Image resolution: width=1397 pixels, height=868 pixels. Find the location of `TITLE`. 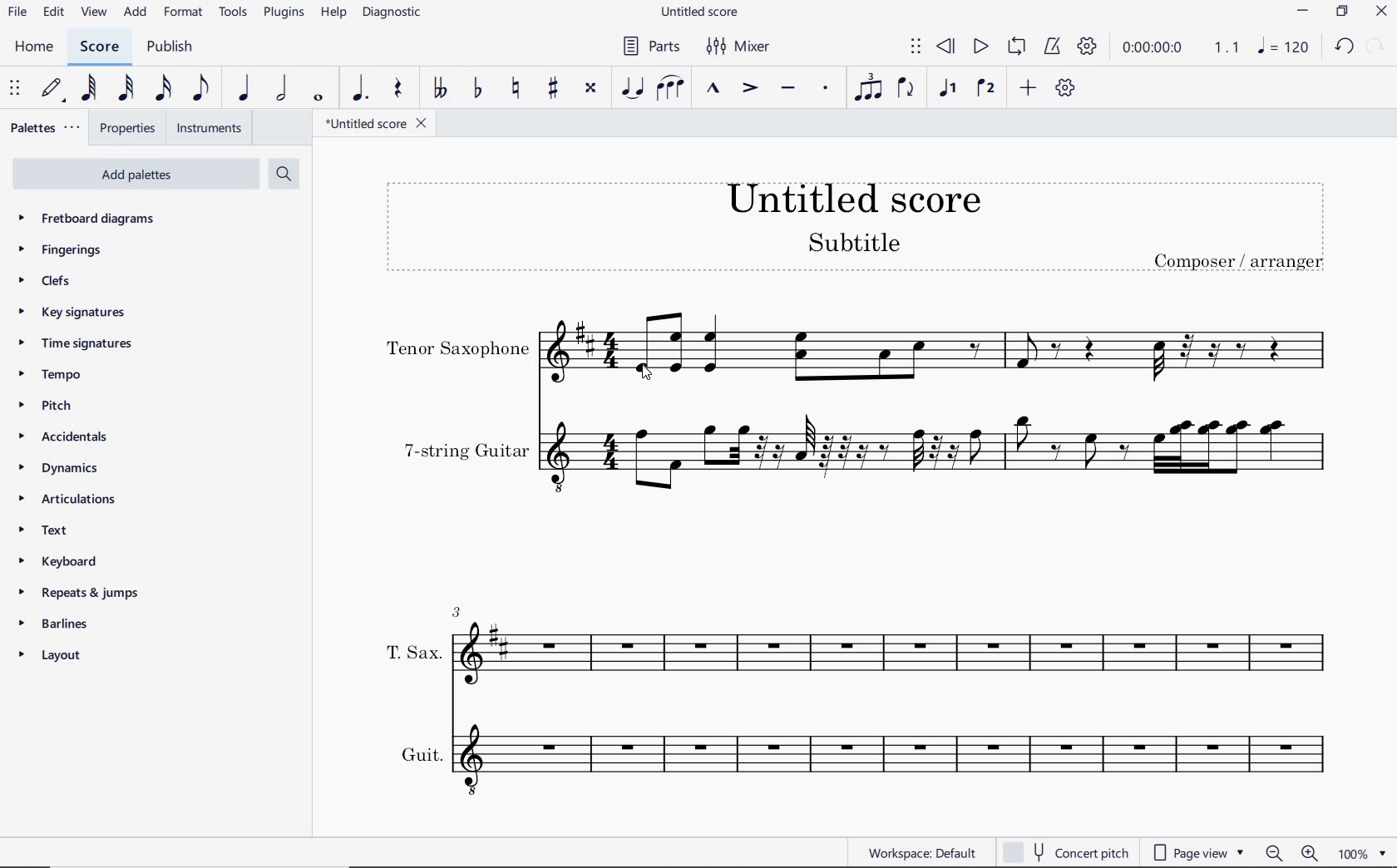

TITLE is located at coordinates (852, 223).